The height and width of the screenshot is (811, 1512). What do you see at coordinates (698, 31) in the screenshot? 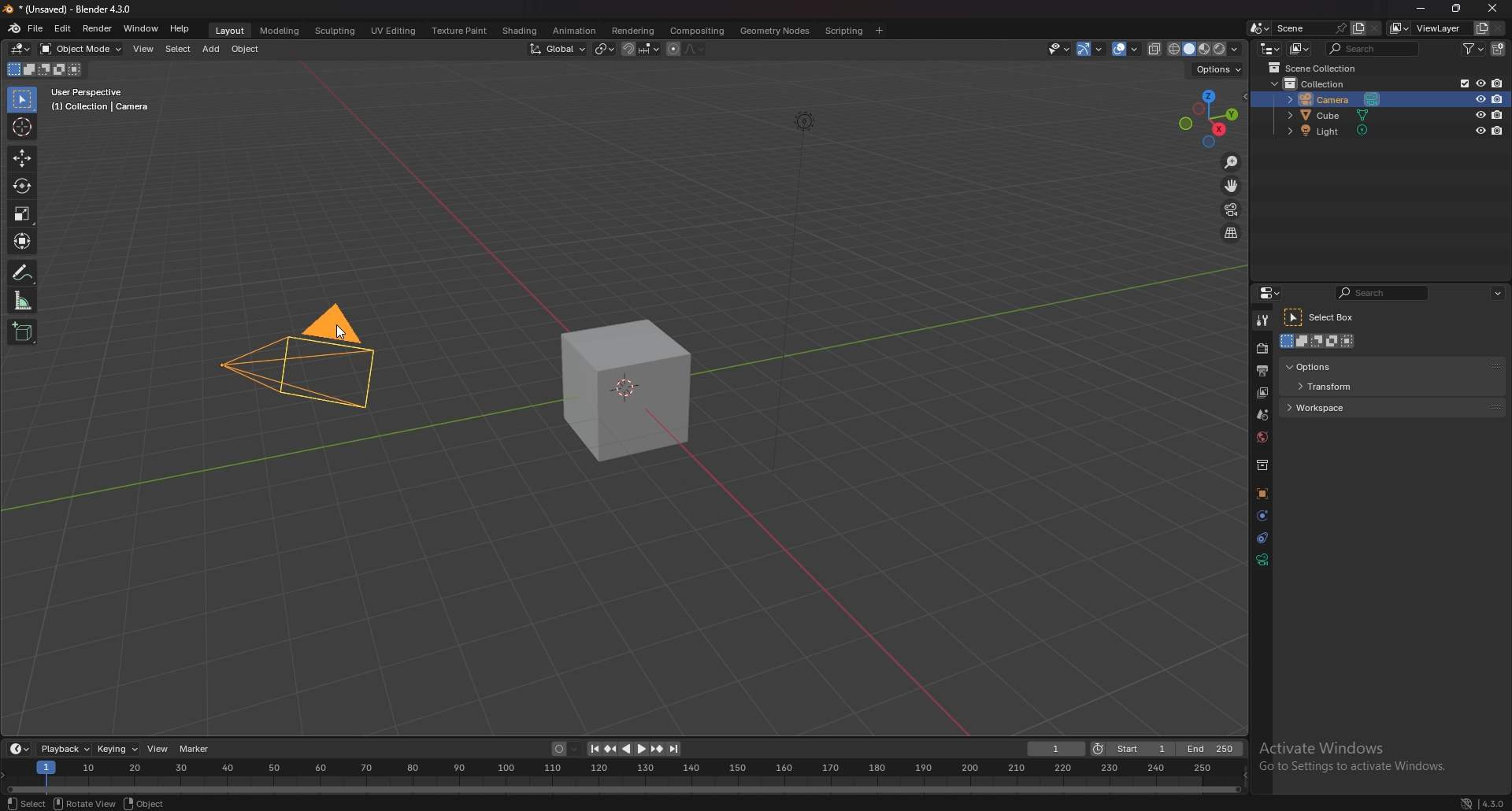
I see `compositing` at bounding box center [698, 31].